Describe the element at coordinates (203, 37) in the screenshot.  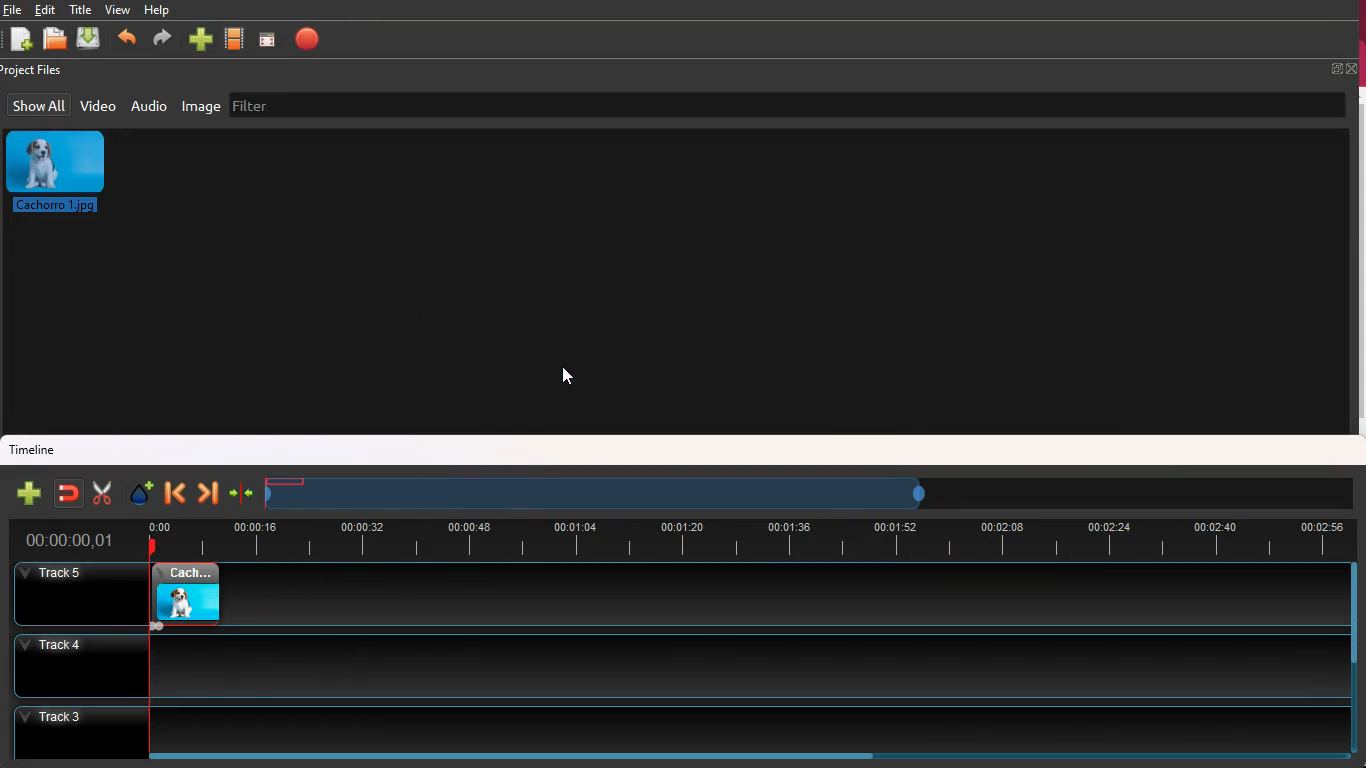
I see `new` at that location.